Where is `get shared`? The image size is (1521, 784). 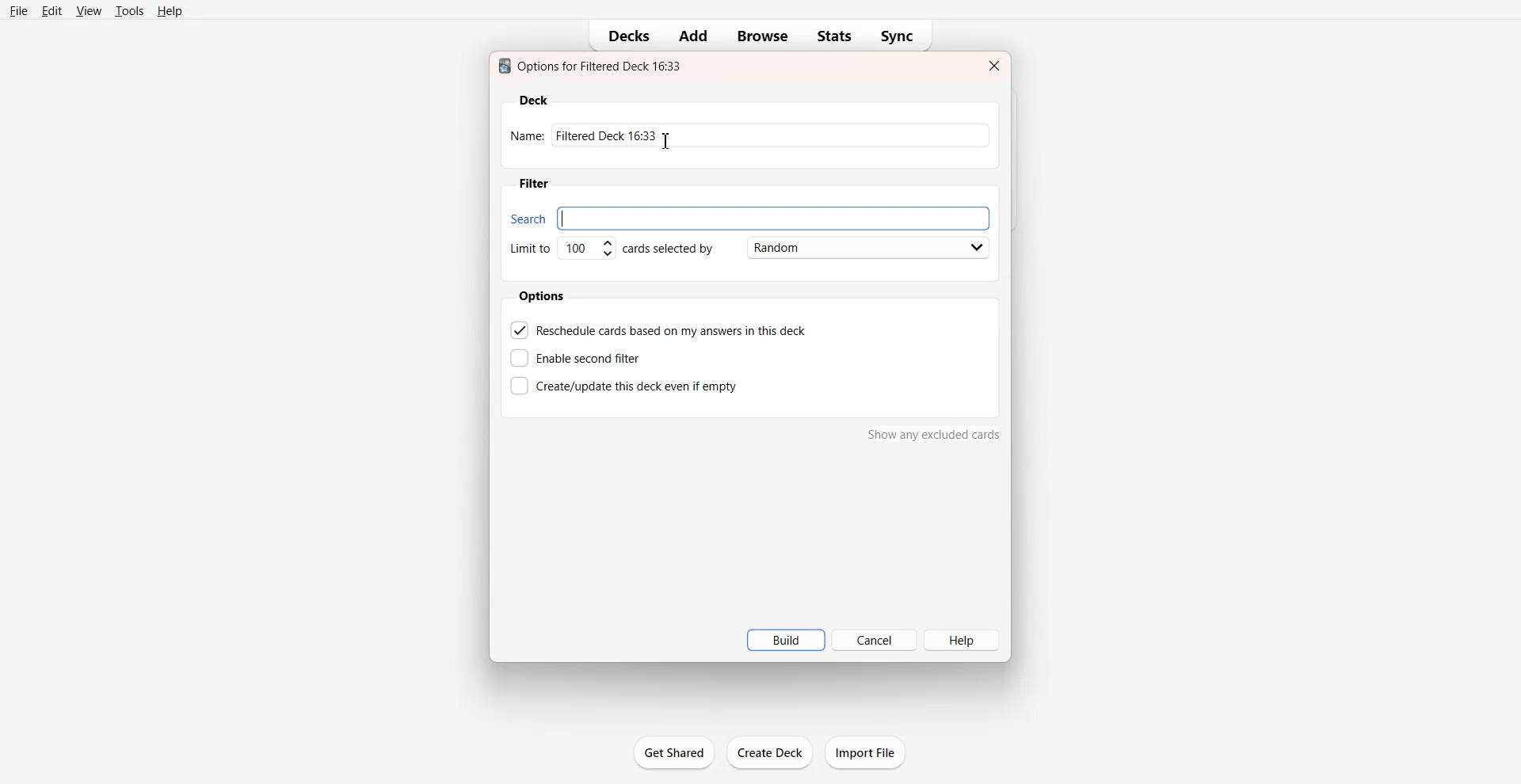
get shared is located at coordinates (677, 755).